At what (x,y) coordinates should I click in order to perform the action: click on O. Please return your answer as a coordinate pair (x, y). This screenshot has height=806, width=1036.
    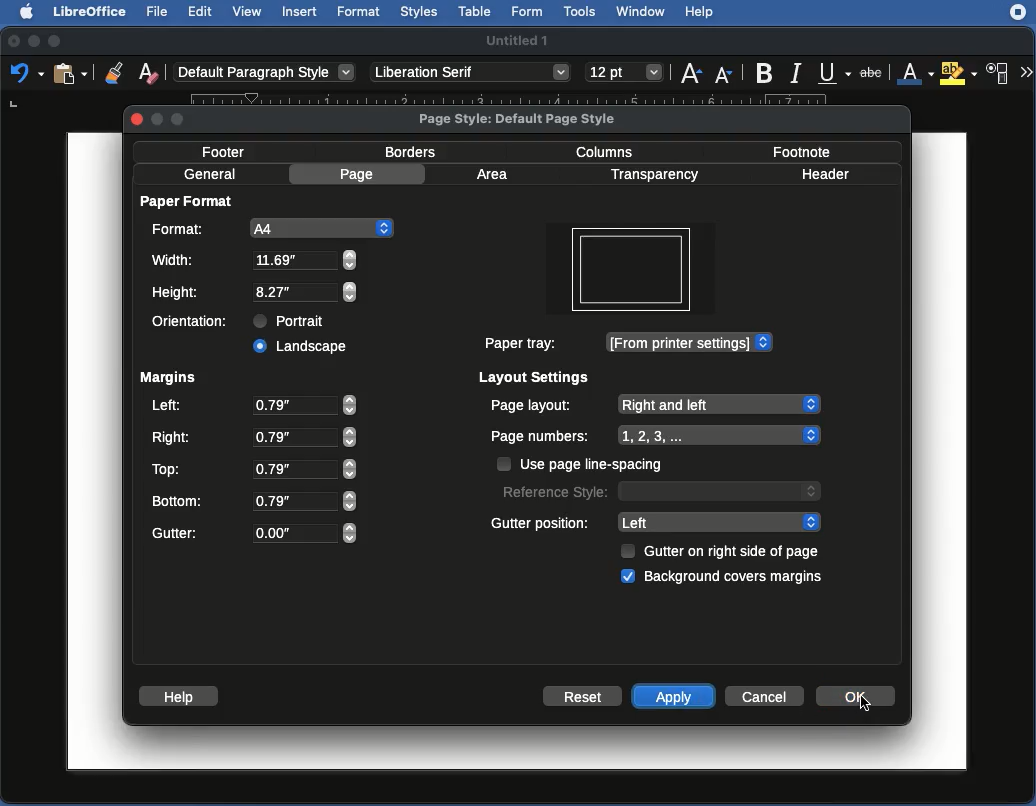
    Looking at the image, I should click on (308, 534).